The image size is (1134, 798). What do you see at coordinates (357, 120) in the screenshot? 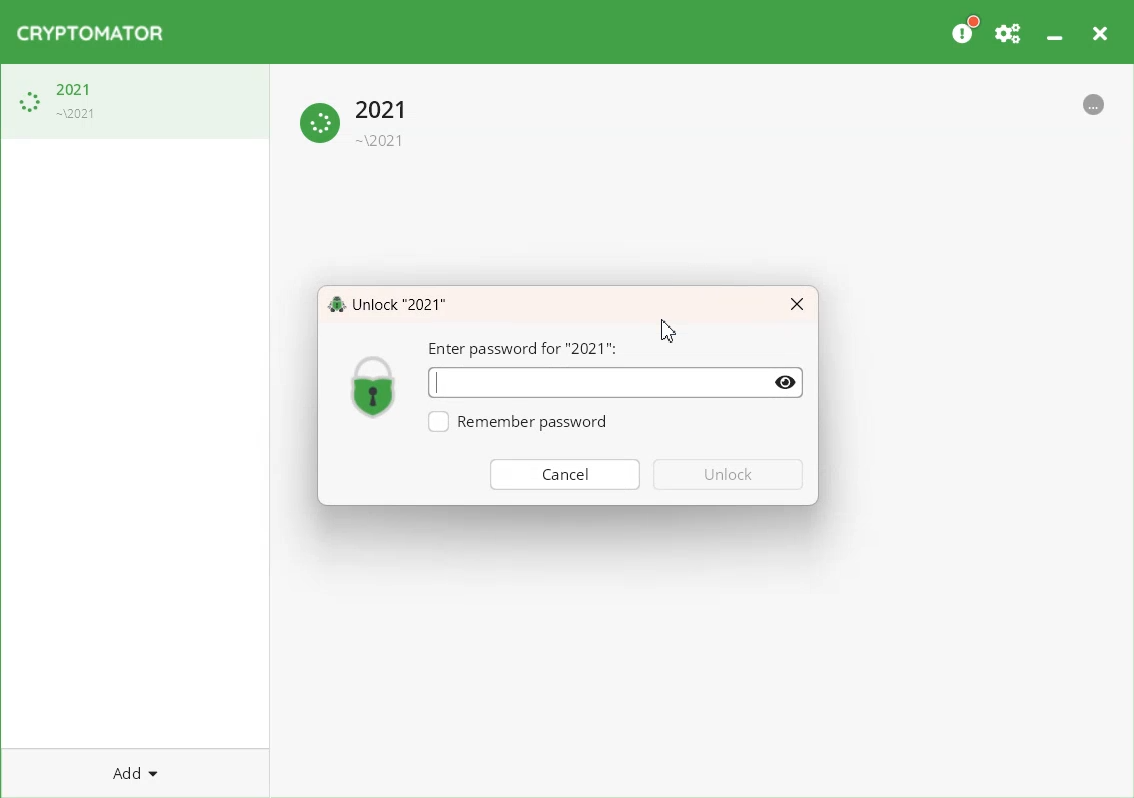
I see `Loading` at bounding box center [357, 120].